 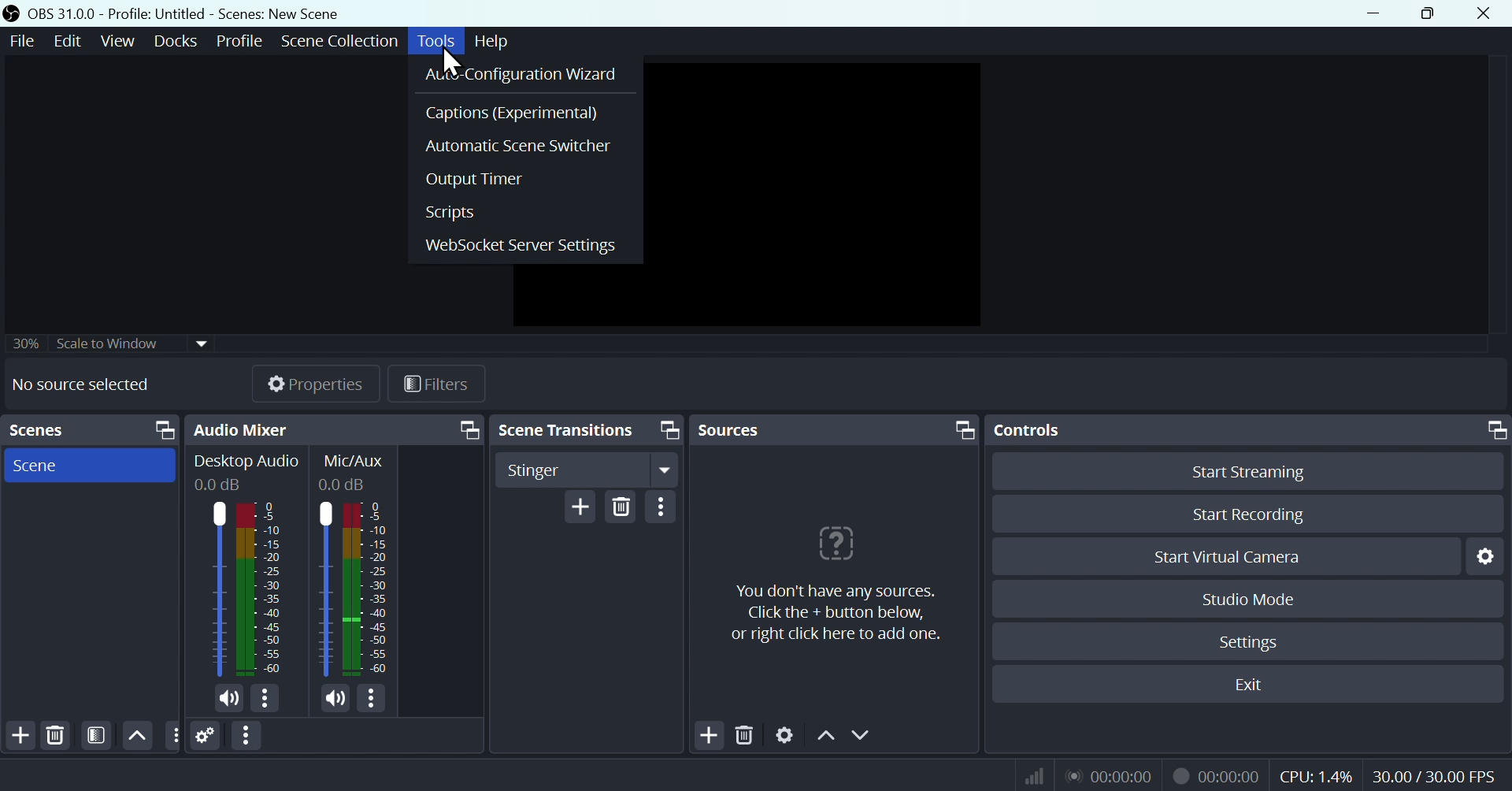 What do you see at coordinates (13, 14) in the screenshot?
I see `icon` at bounding box center [13, 14].